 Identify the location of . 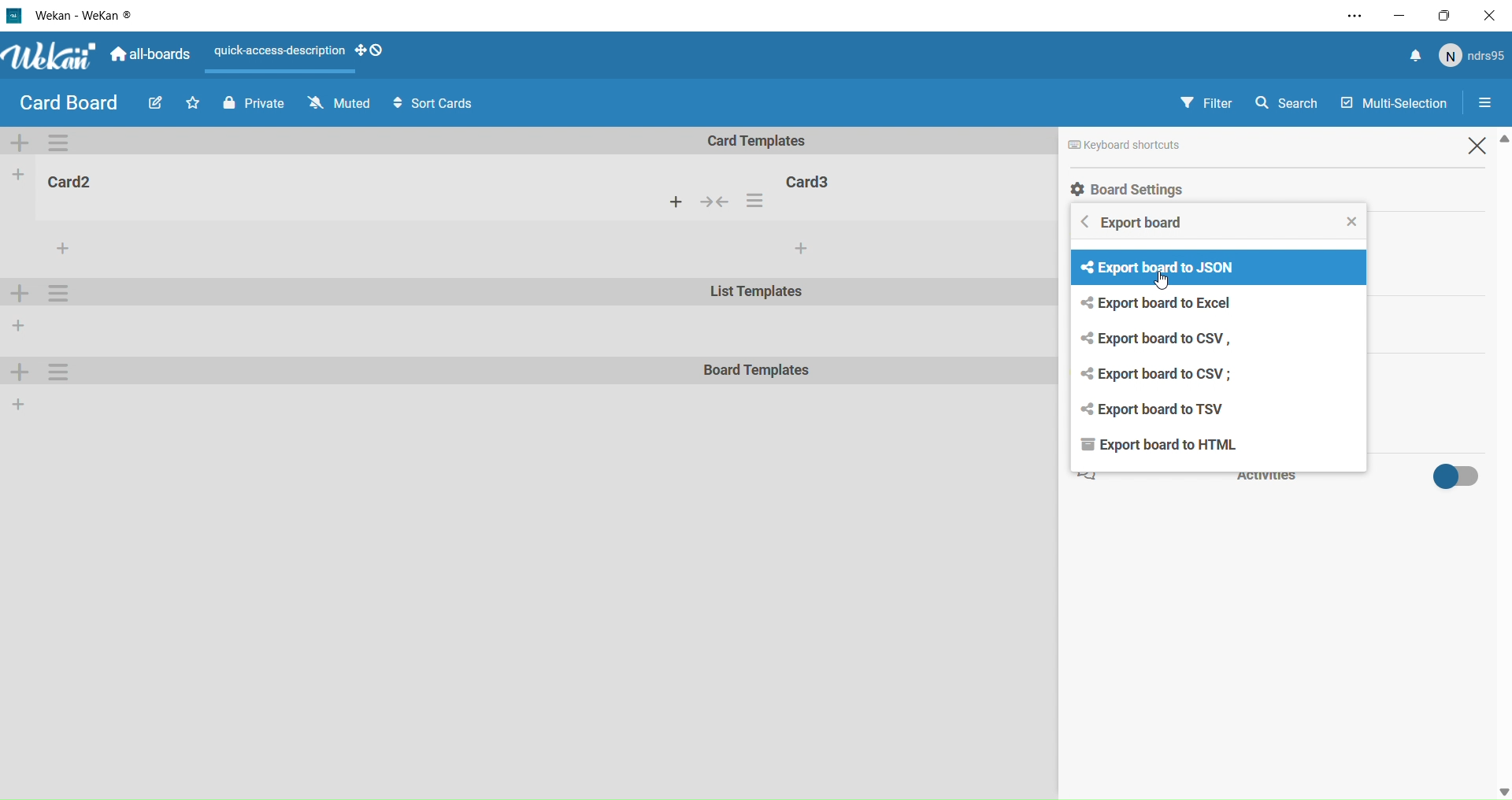
(57, 143).